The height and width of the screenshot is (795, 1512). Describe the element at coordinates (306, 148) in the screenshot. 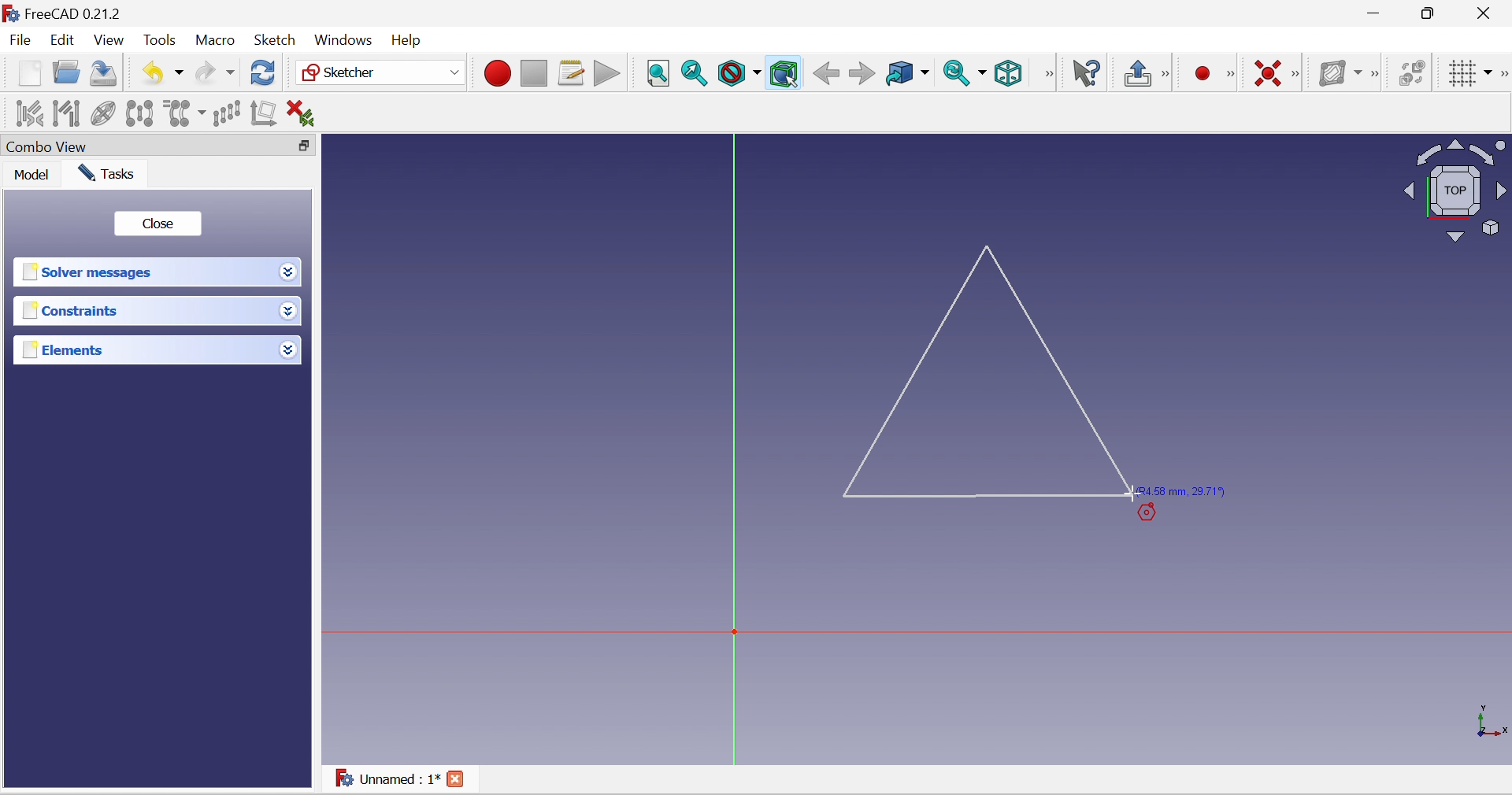

I see `Restore down` at that location.